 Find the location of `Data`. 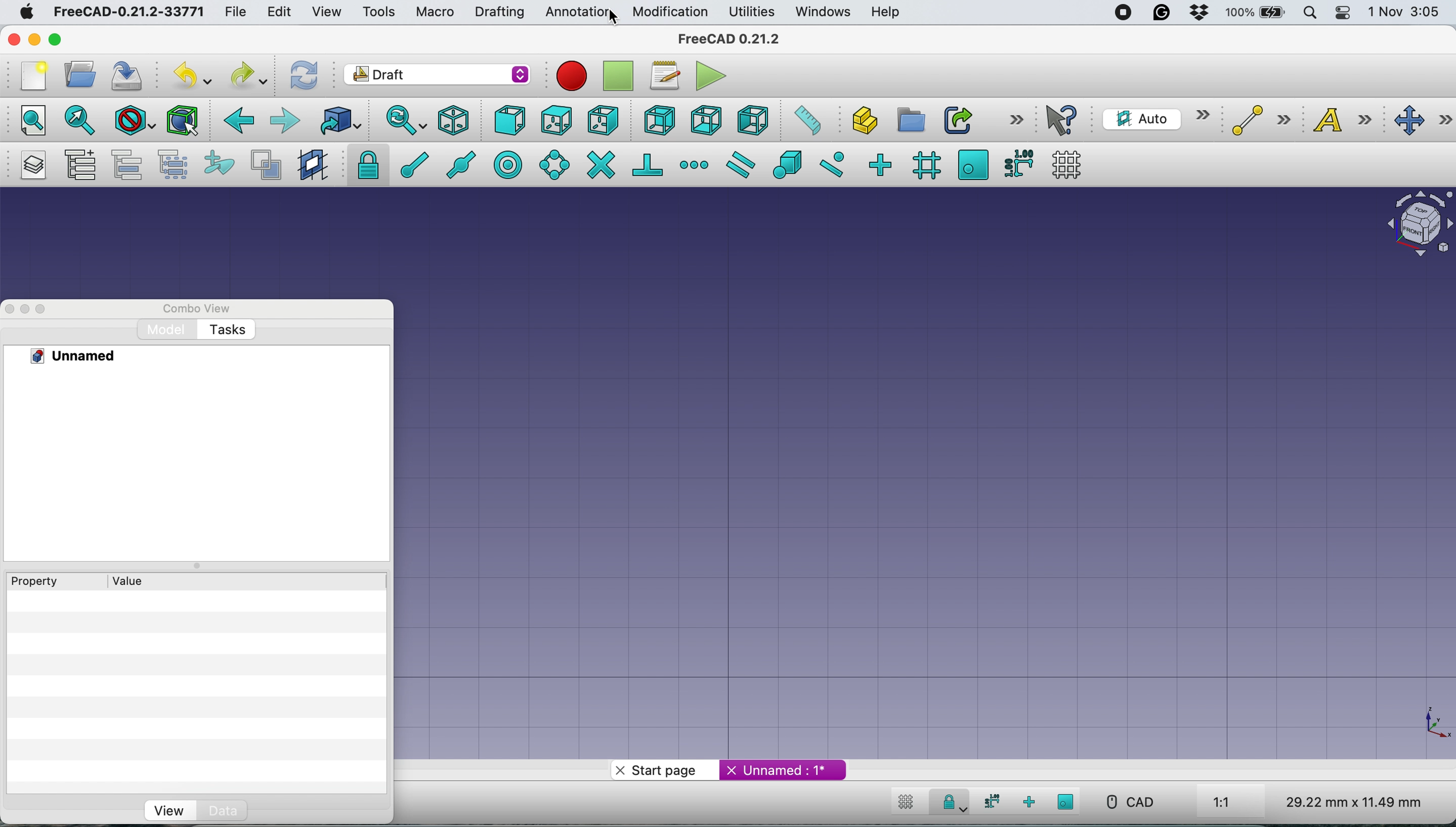

Data is located at coordinates (222, 811).